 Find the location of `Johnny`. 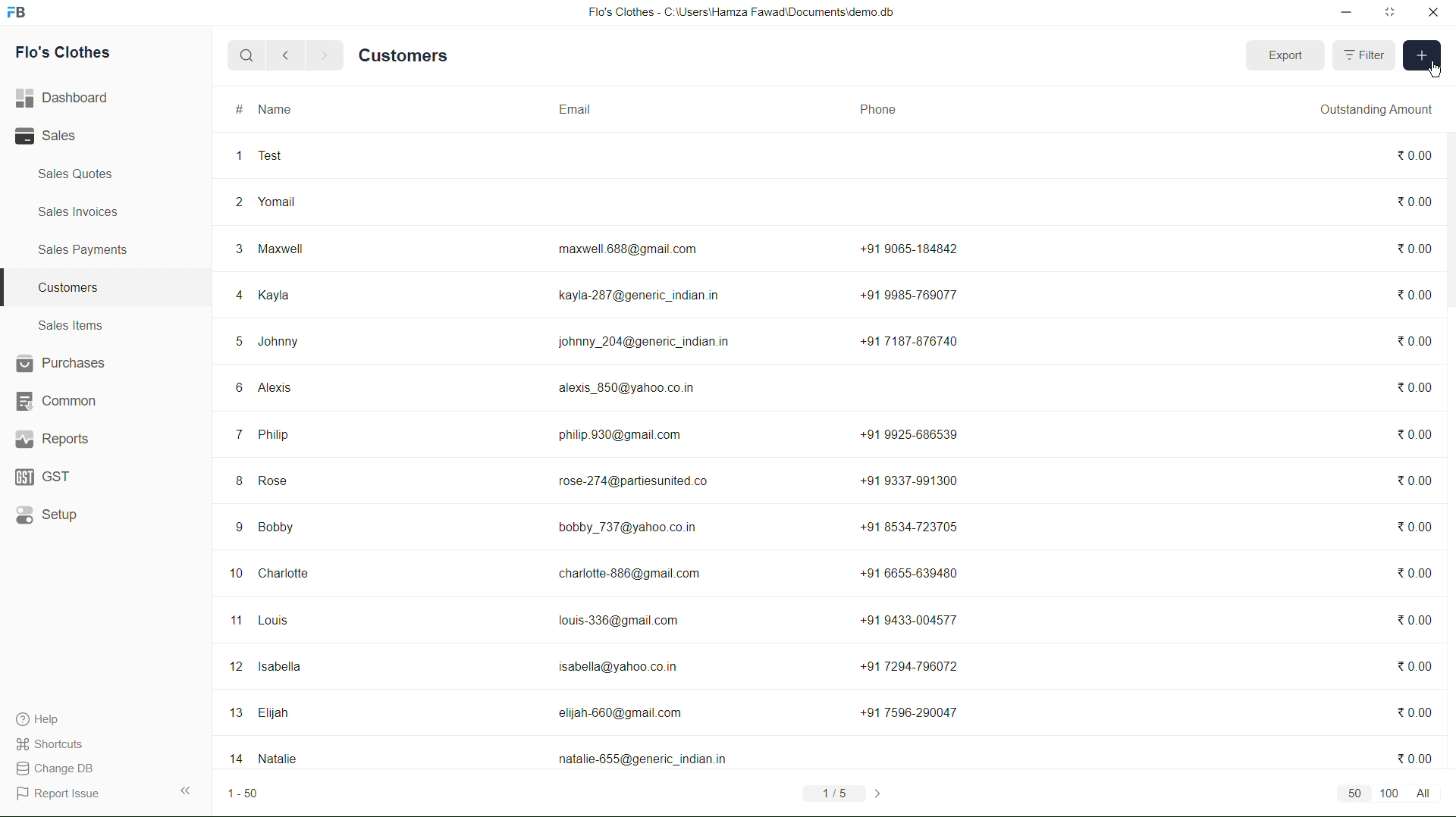

Johnny is located at coordinates (281, 340).